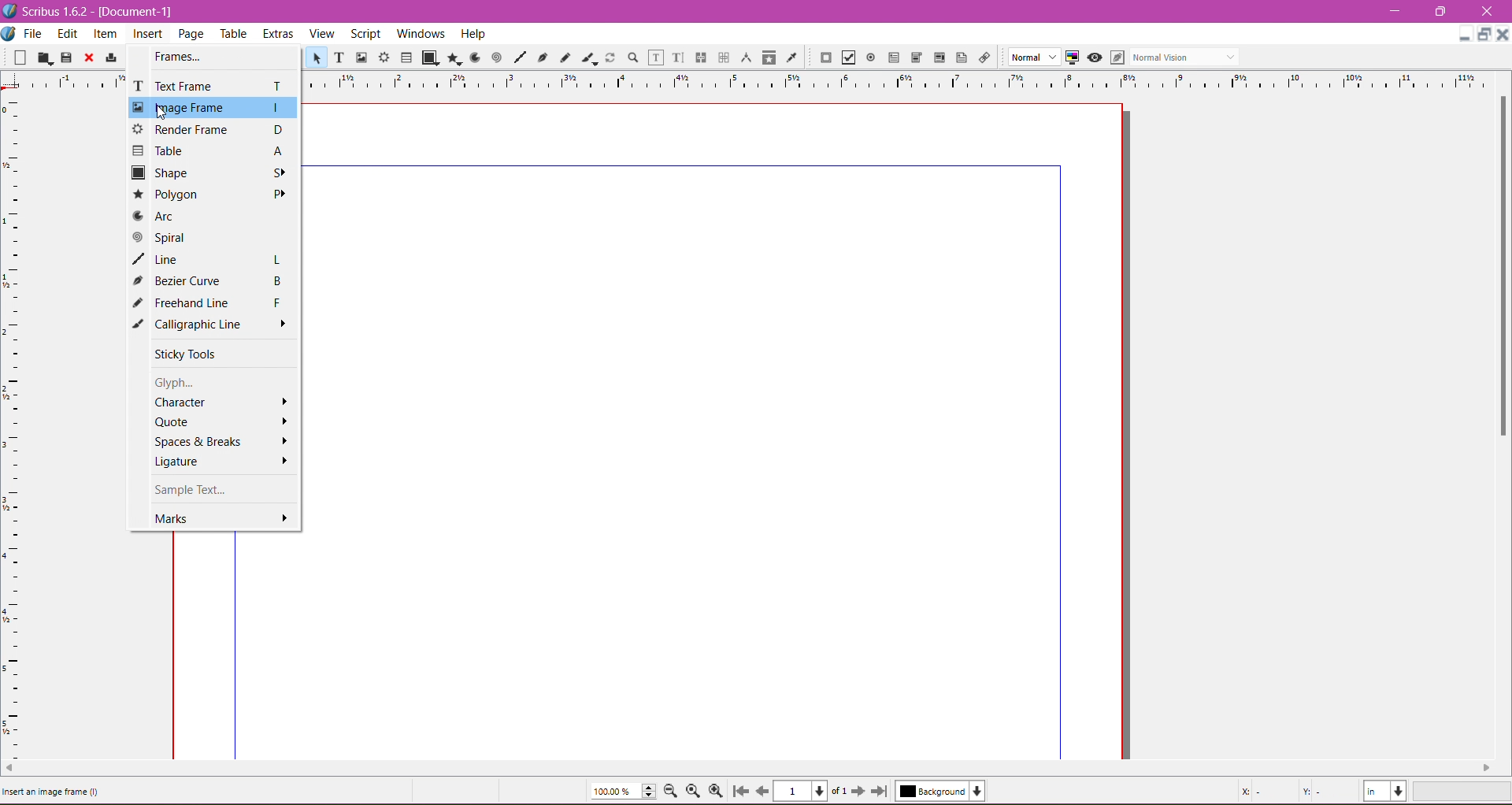 Image resolution: width=1512 pixels, height=805 pixels. Describe the element at coordinates (1396, 10) in the screenshot. I see `Minimize` at that location.